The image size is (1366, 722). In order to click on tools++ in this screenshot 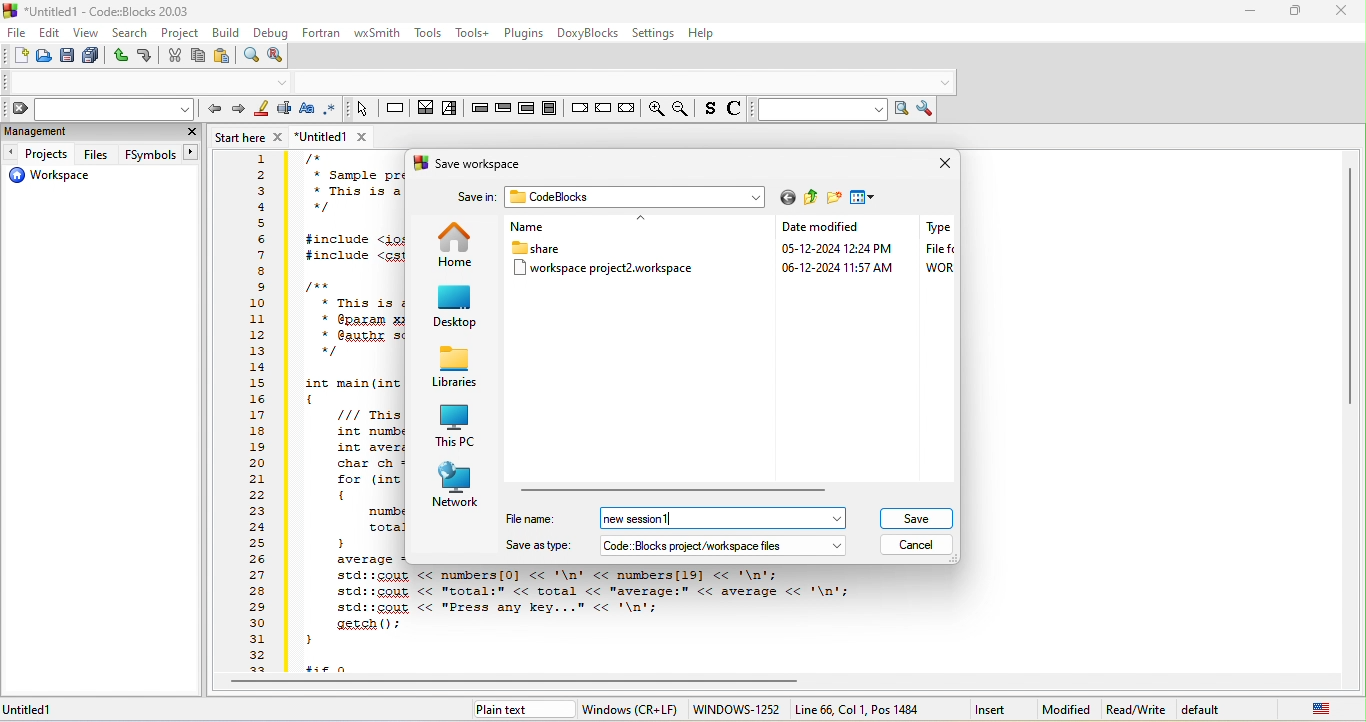, I will do `click(475, 32)`.